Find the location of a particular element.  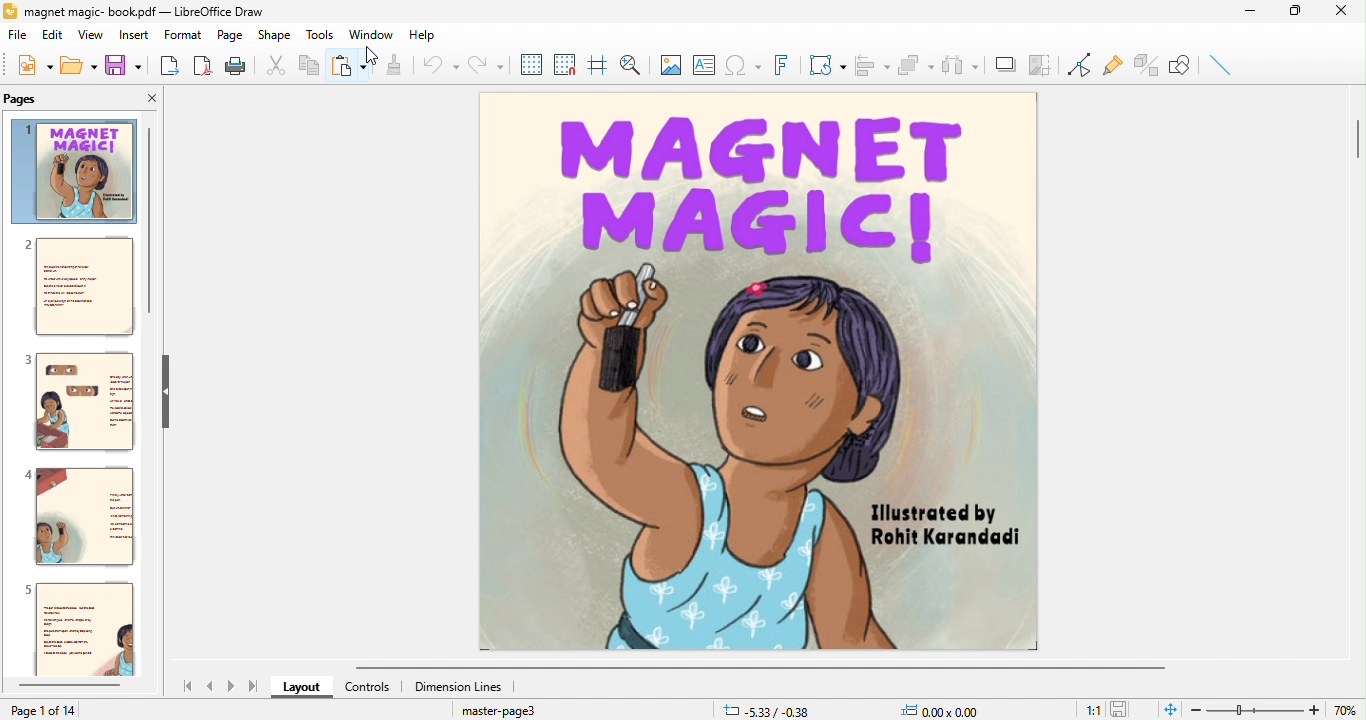

copy is located at coordinates (311, 66).